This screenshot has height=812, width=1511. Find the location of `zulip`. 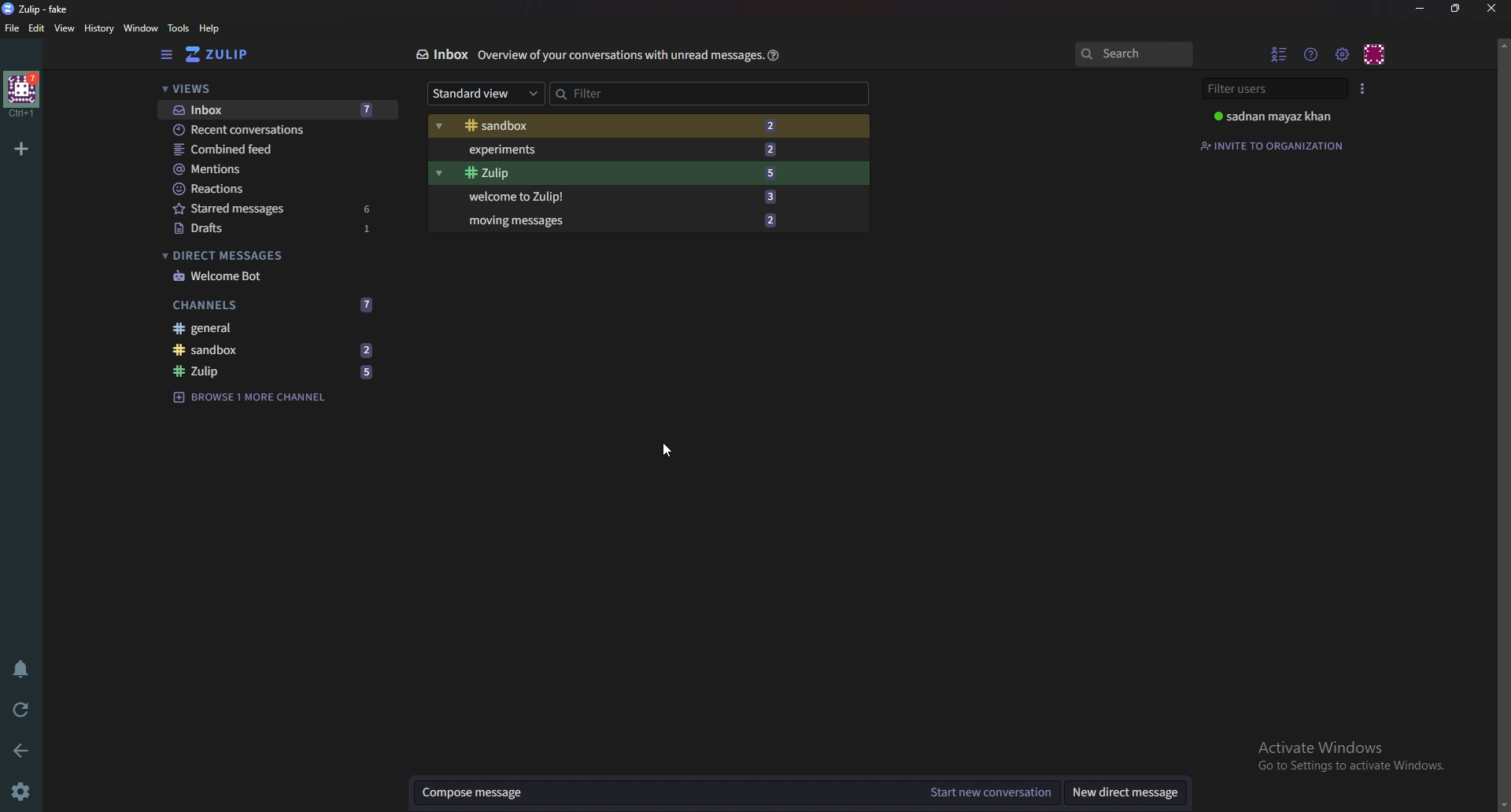

zulip is located at coordinates (275, 372).